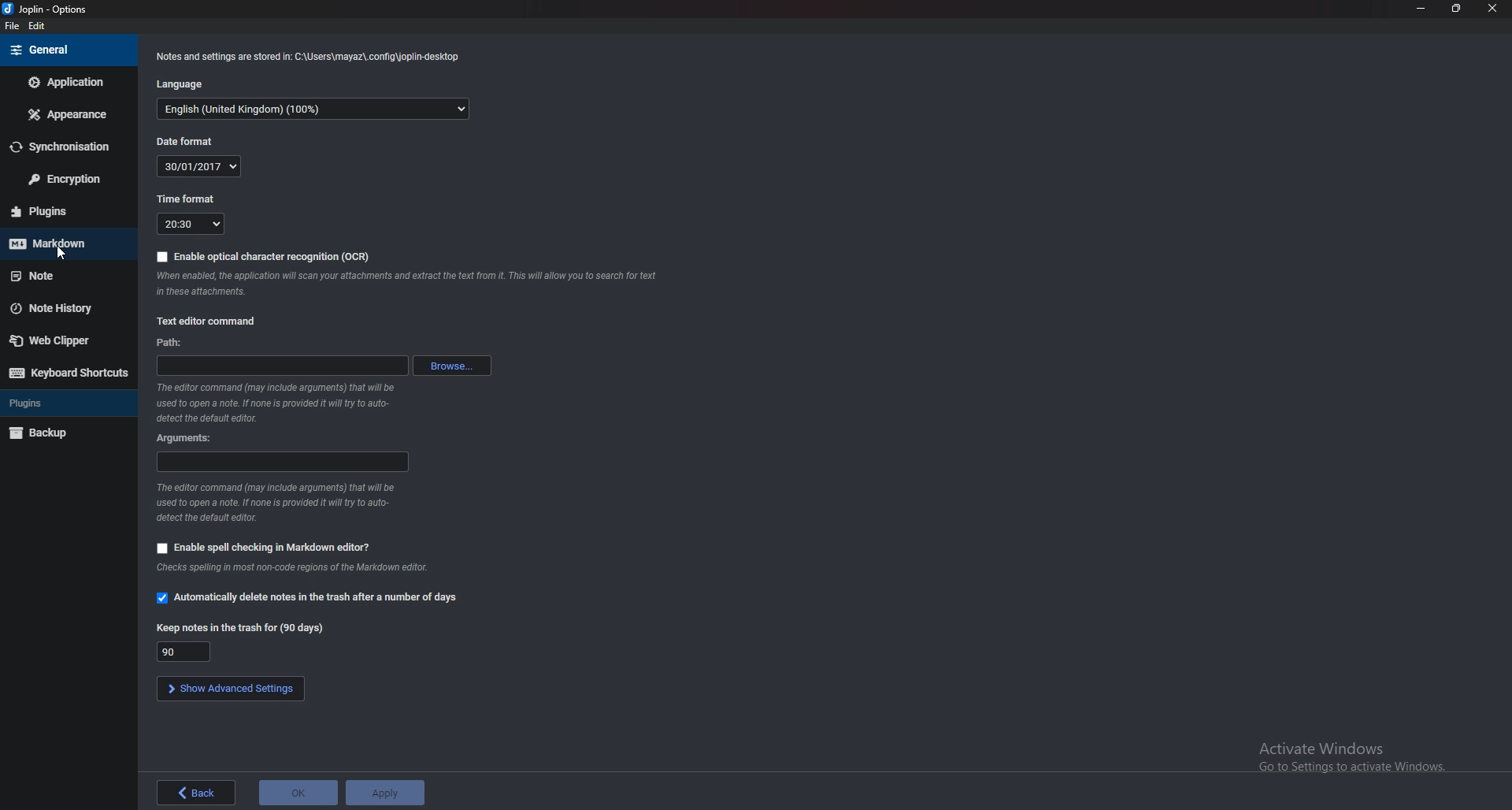 This screenshot has width=1512, height=810. Describe the element at coordinates (65, 246) in the screenshot. I see `cursor on markdown` at that location.